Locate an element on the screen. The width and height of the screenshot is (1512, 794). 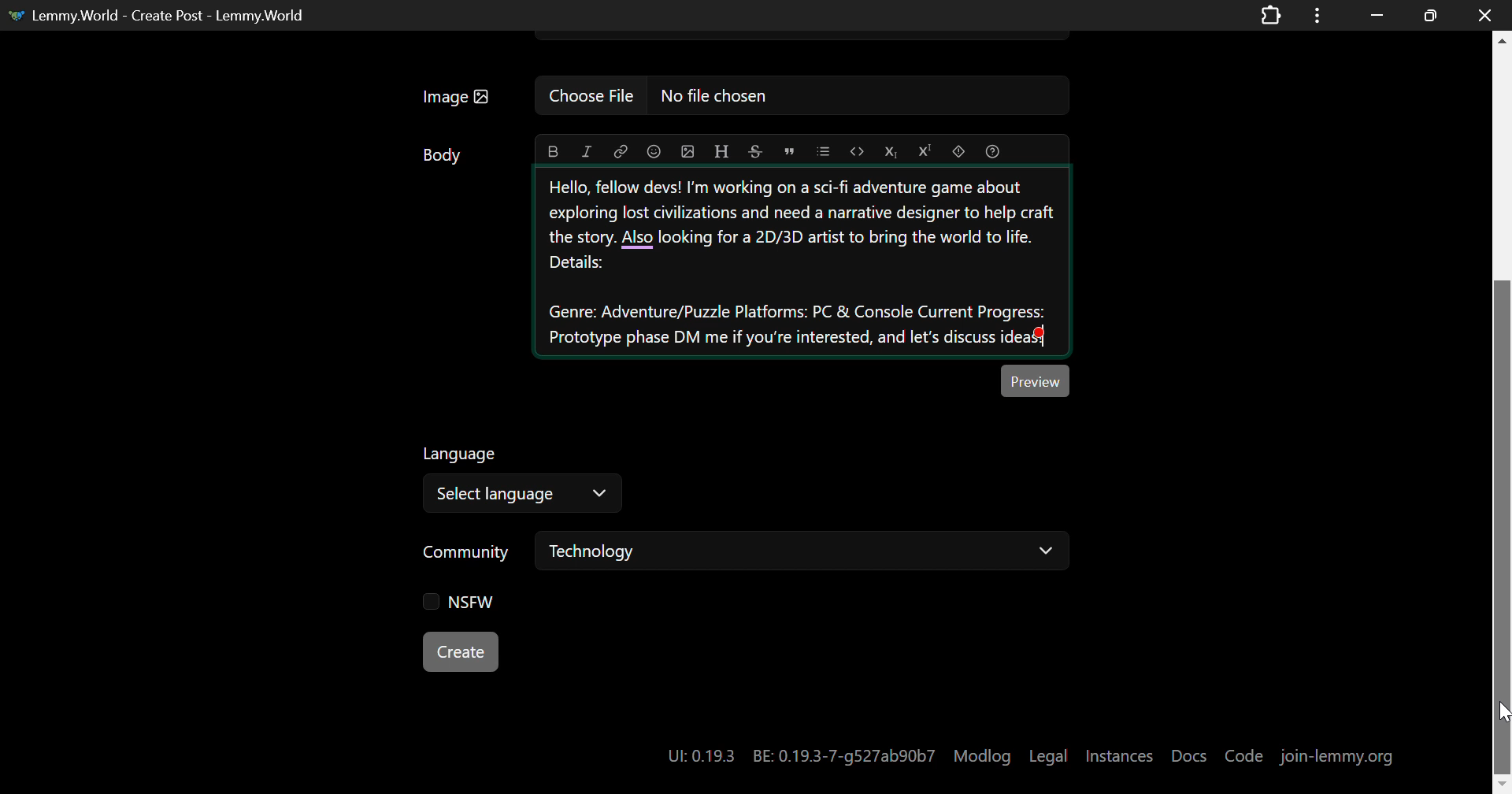
Technology is located at coordinates (803, 554).